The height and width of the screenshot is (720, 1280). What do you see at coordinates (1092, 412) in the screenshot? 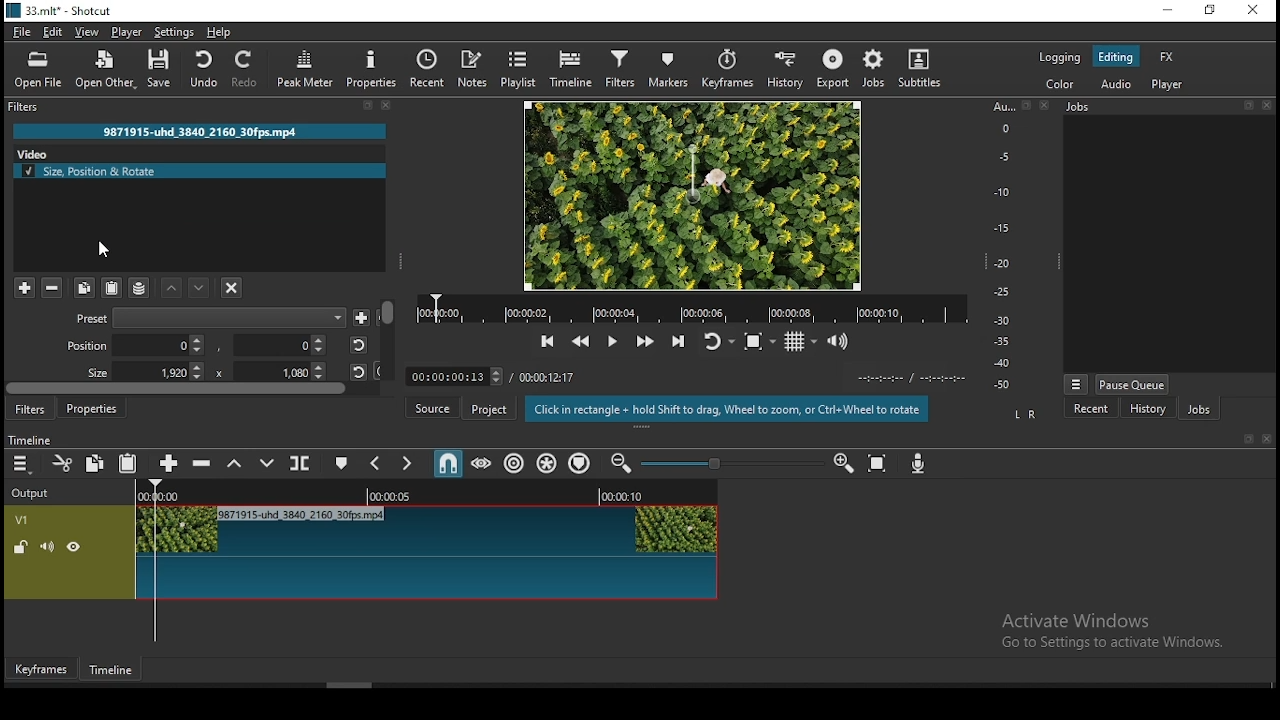
I see `recent` at bounding box center [1092, 412].